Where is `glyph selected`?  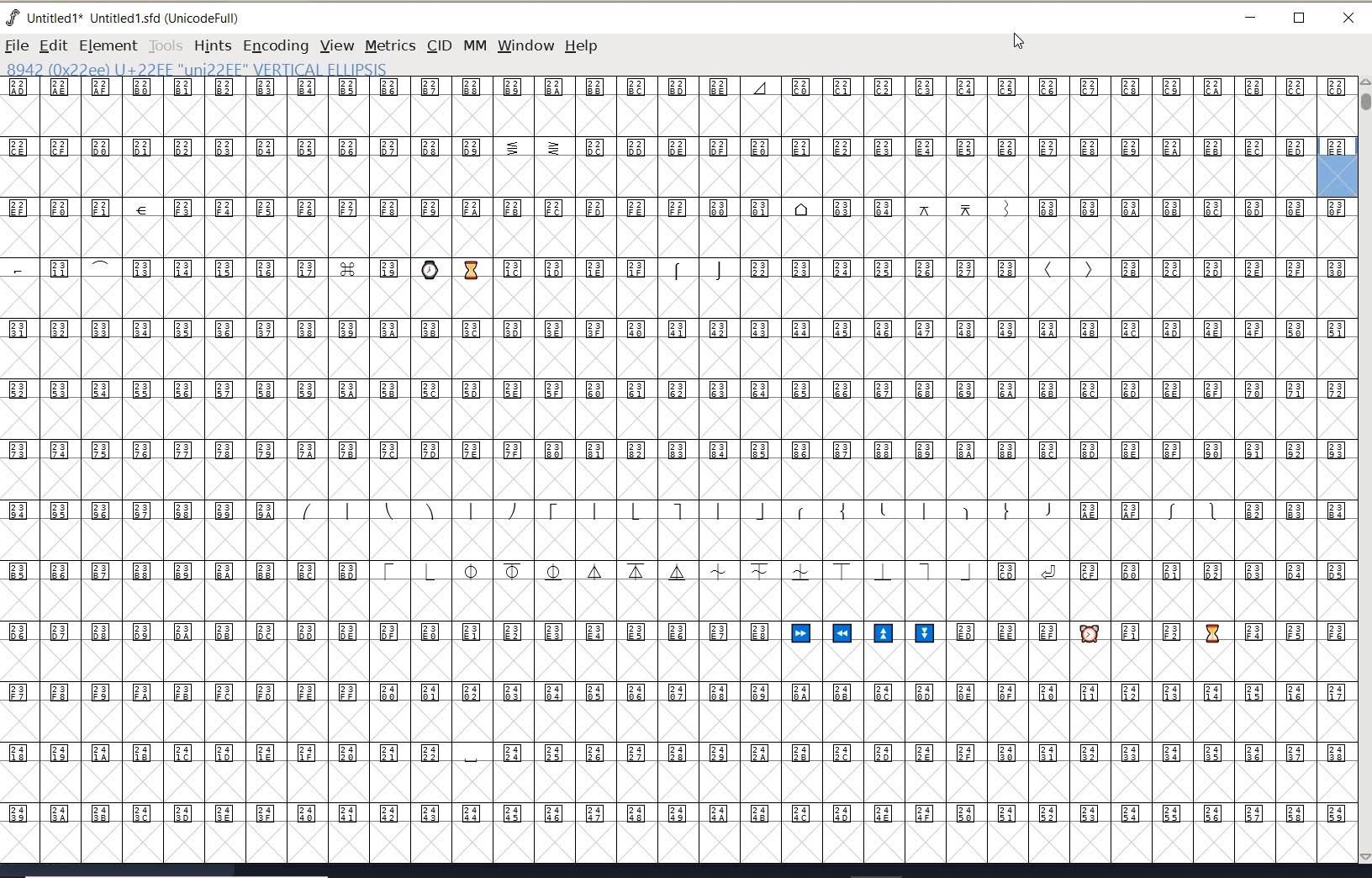 glyph selected is located at coordinates (1338, 167).